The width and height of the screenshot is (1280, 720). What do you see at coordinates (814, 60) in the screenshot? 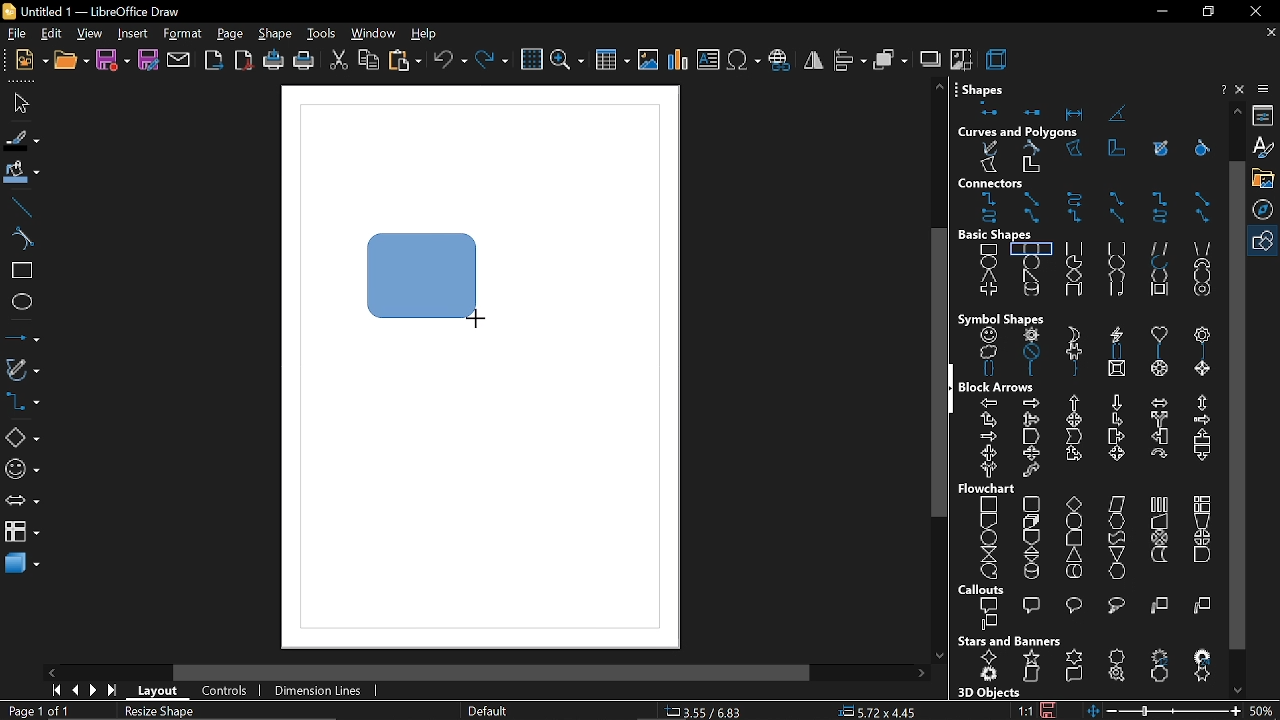
I see `flip` at bounding box center [814, 60].